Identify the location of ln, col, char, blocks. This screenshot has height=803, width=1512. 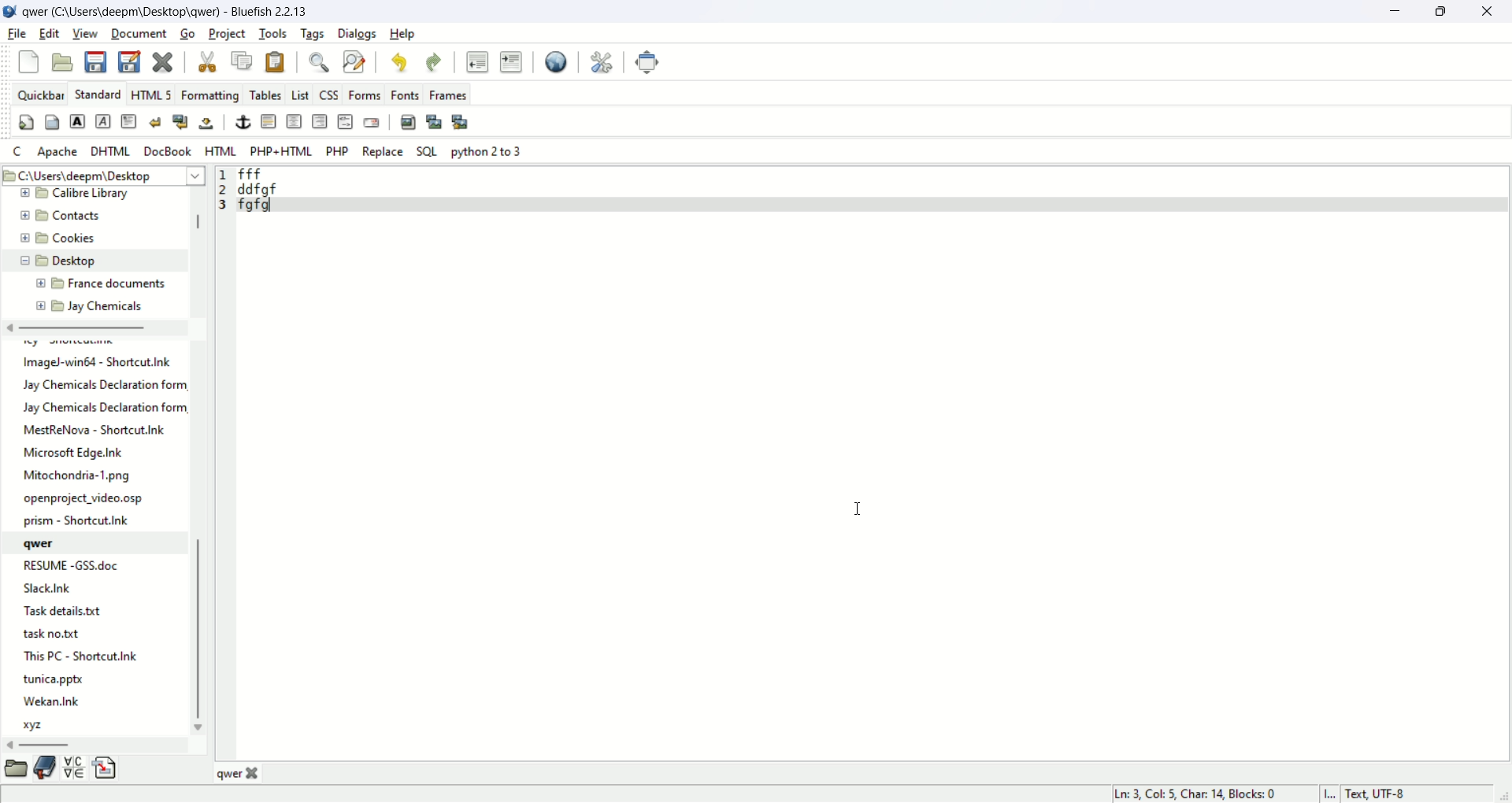
(1192, 794).